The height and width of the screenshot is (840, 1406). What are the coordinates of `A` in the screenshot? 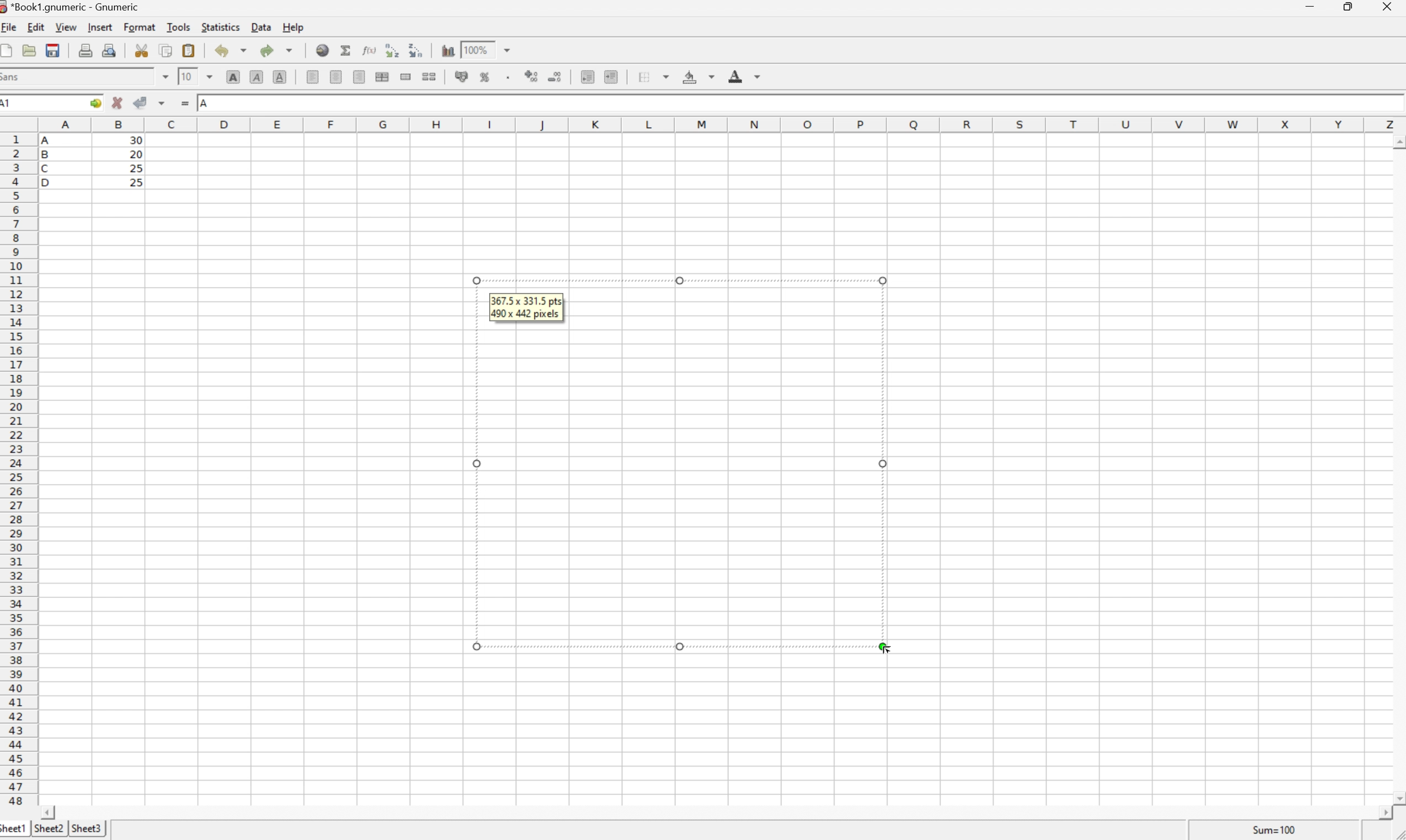 It's located at (205, 104).